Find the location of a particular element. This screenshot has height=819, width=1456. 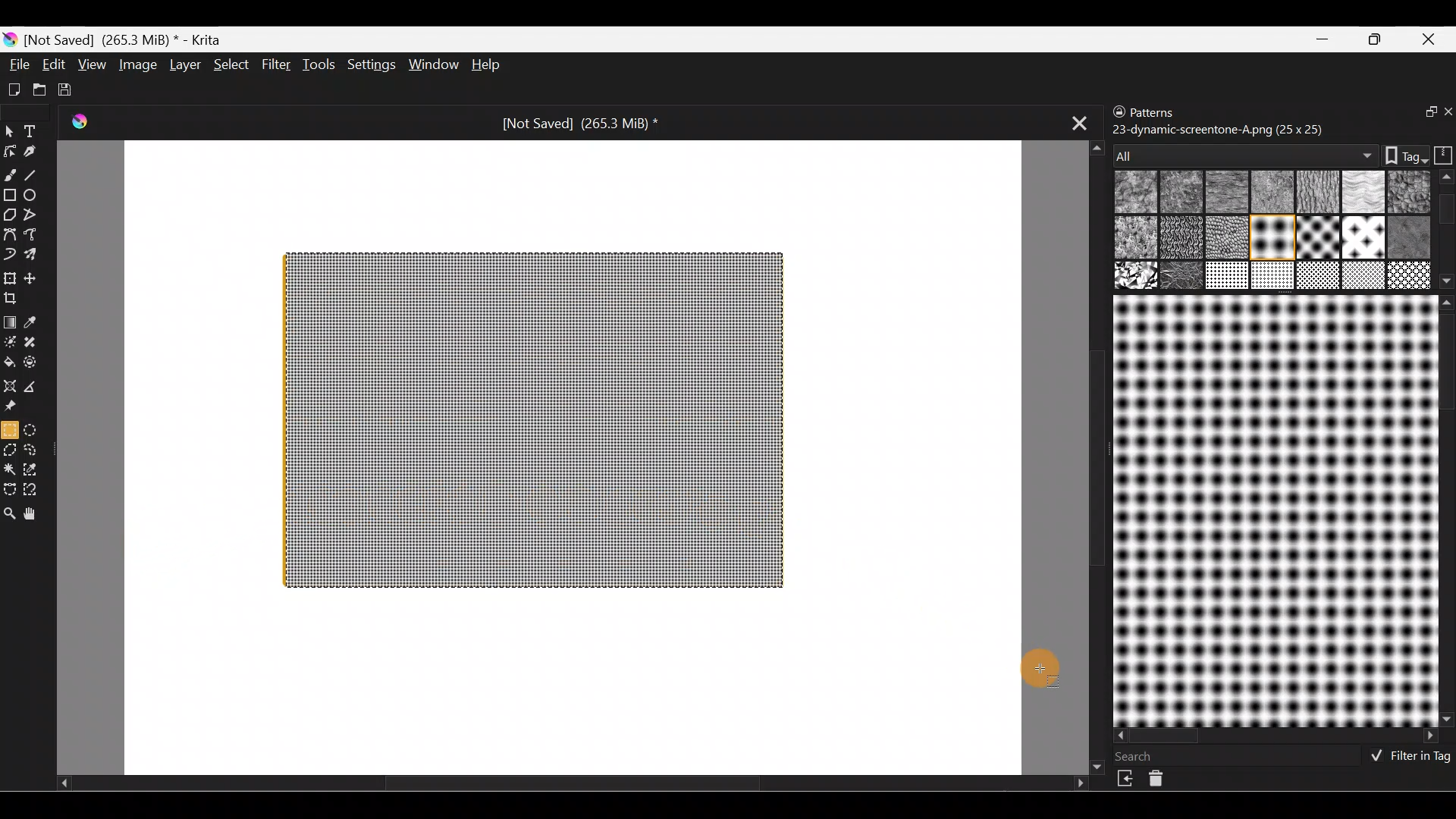

09b drawed_crossedlines.png is located at coordinates (1225, 237).